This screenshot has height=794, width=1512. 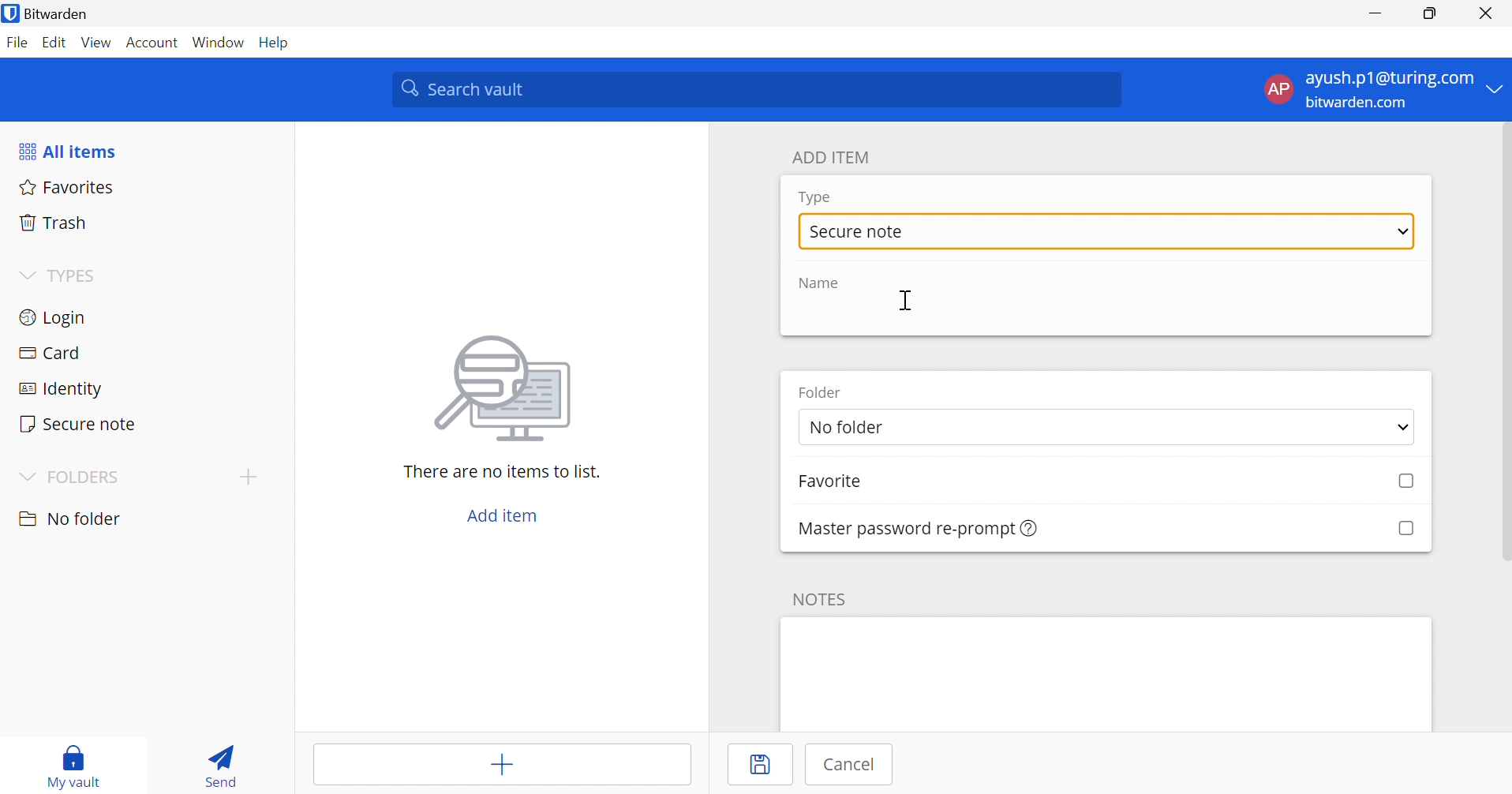 I want to click on bitwarden.com, so click(x=1356, y=103).